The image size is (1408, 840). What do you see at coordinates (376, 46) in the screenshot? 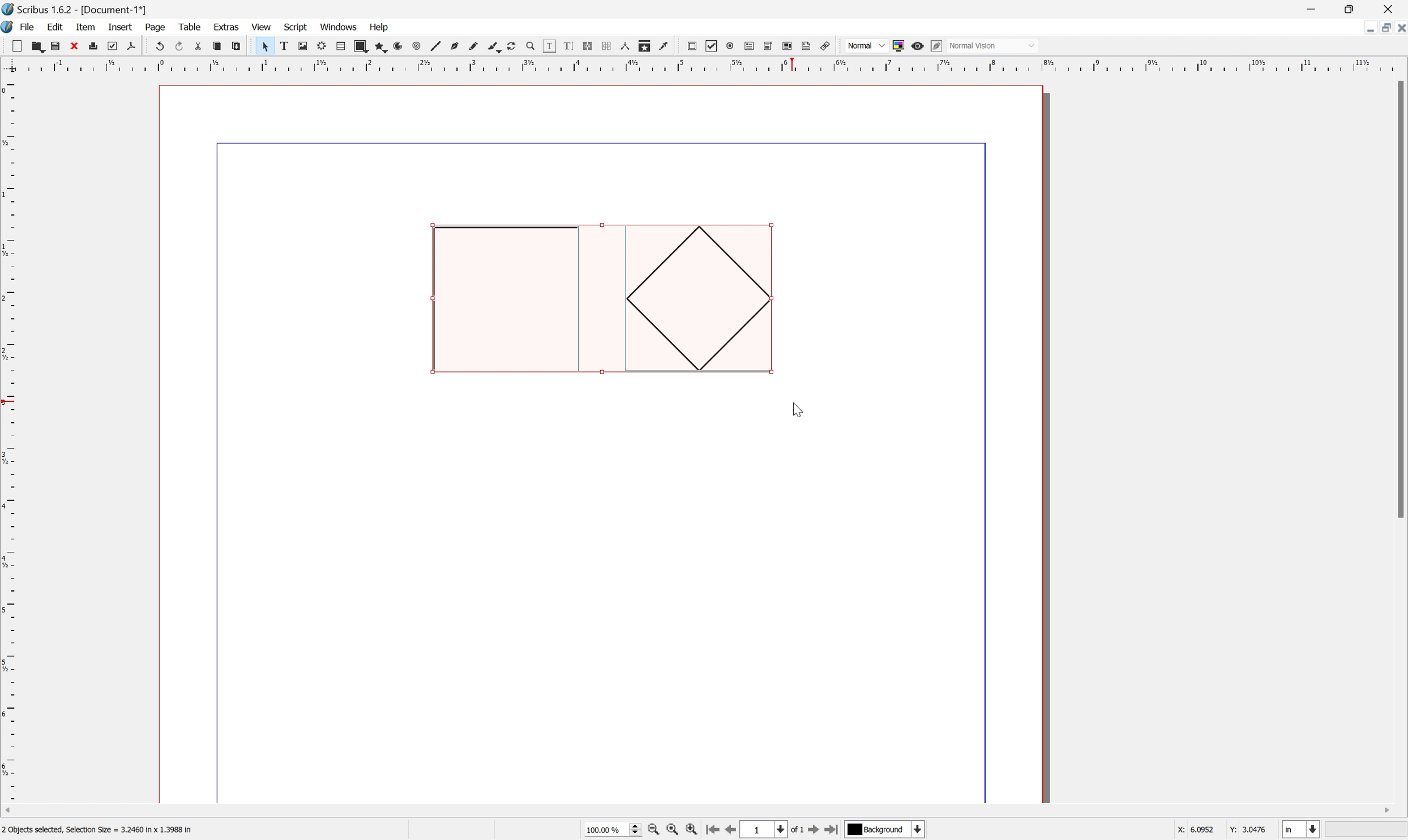
I see `polygon` at bounding box center [376, 46].